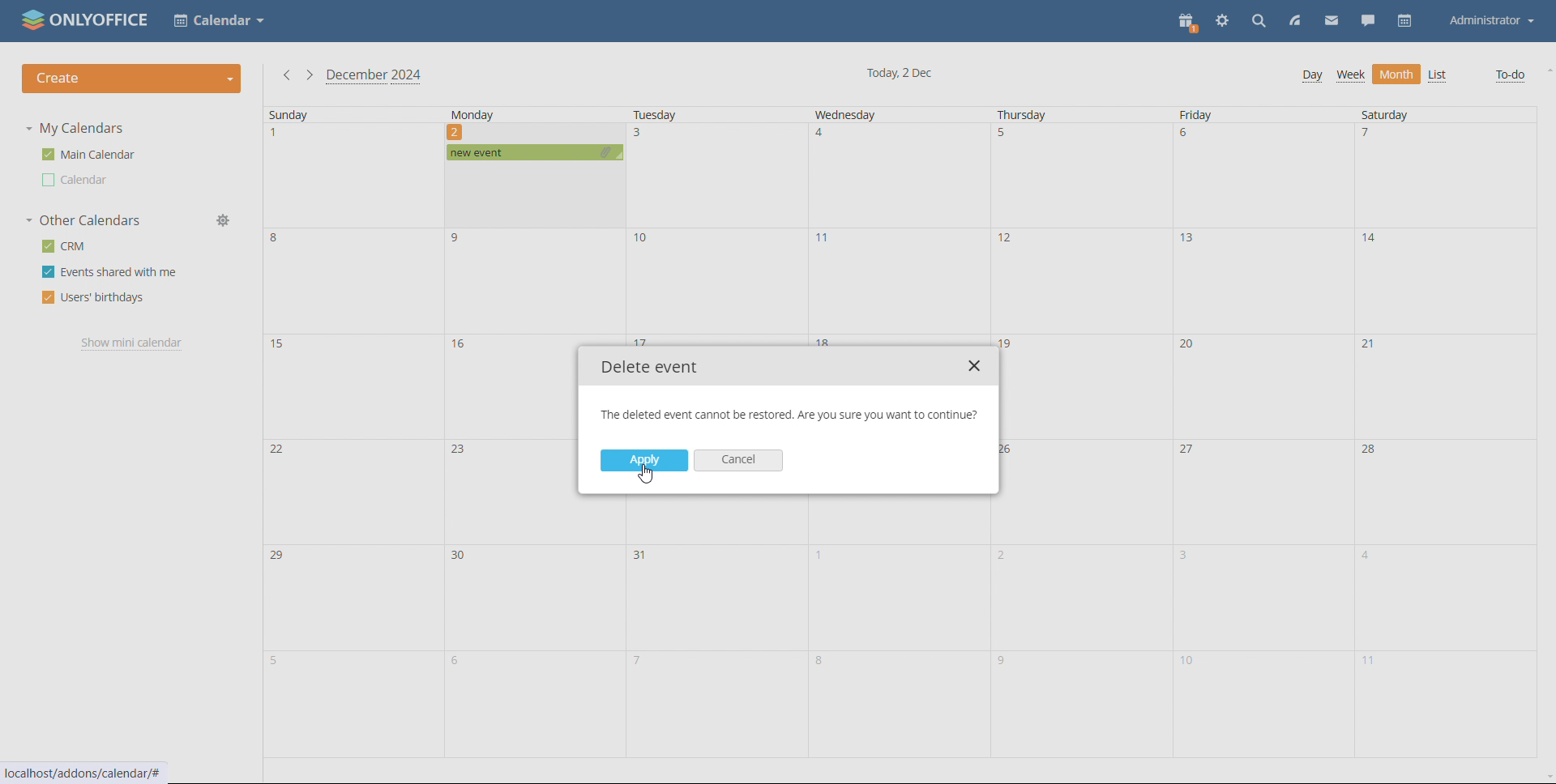  Describe the element at coordinates (1257, 23) in the screenshot. I see `search` at that location.